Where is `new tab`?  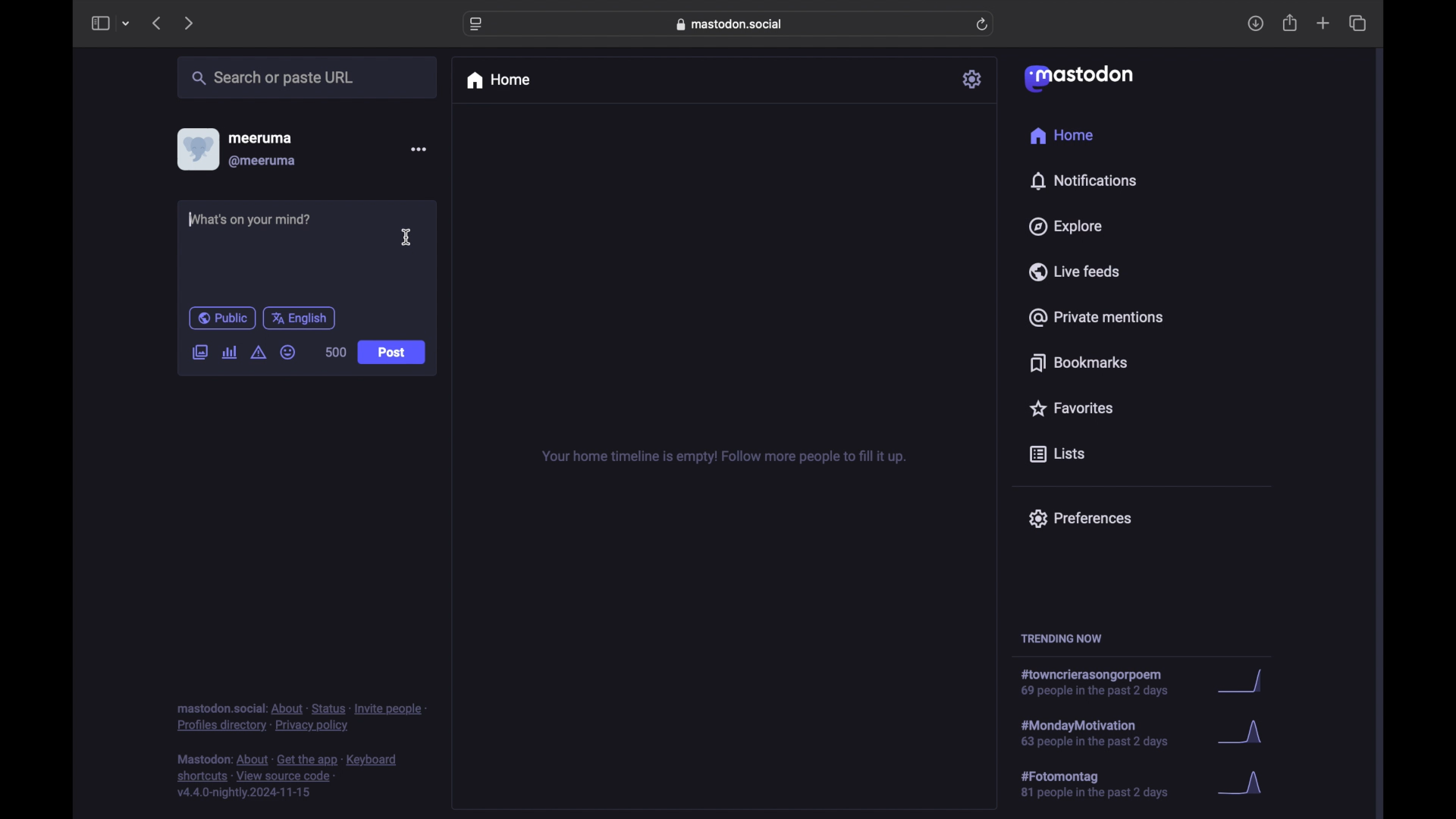 new tab is located at coordinates (1323, 23).